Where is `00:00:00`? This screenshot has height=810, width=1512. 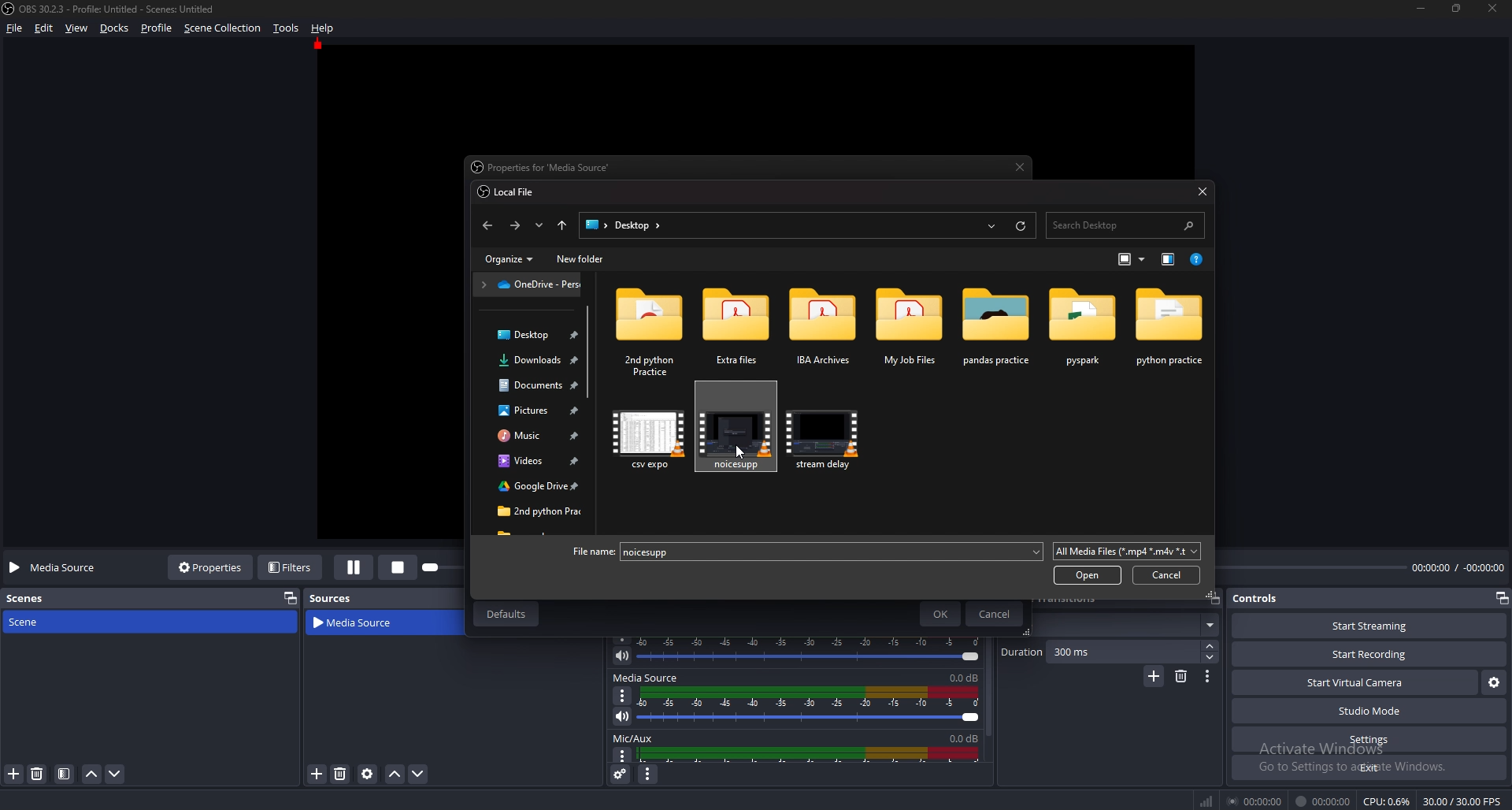 00:00:00 is located at coordinates (1257, 801).